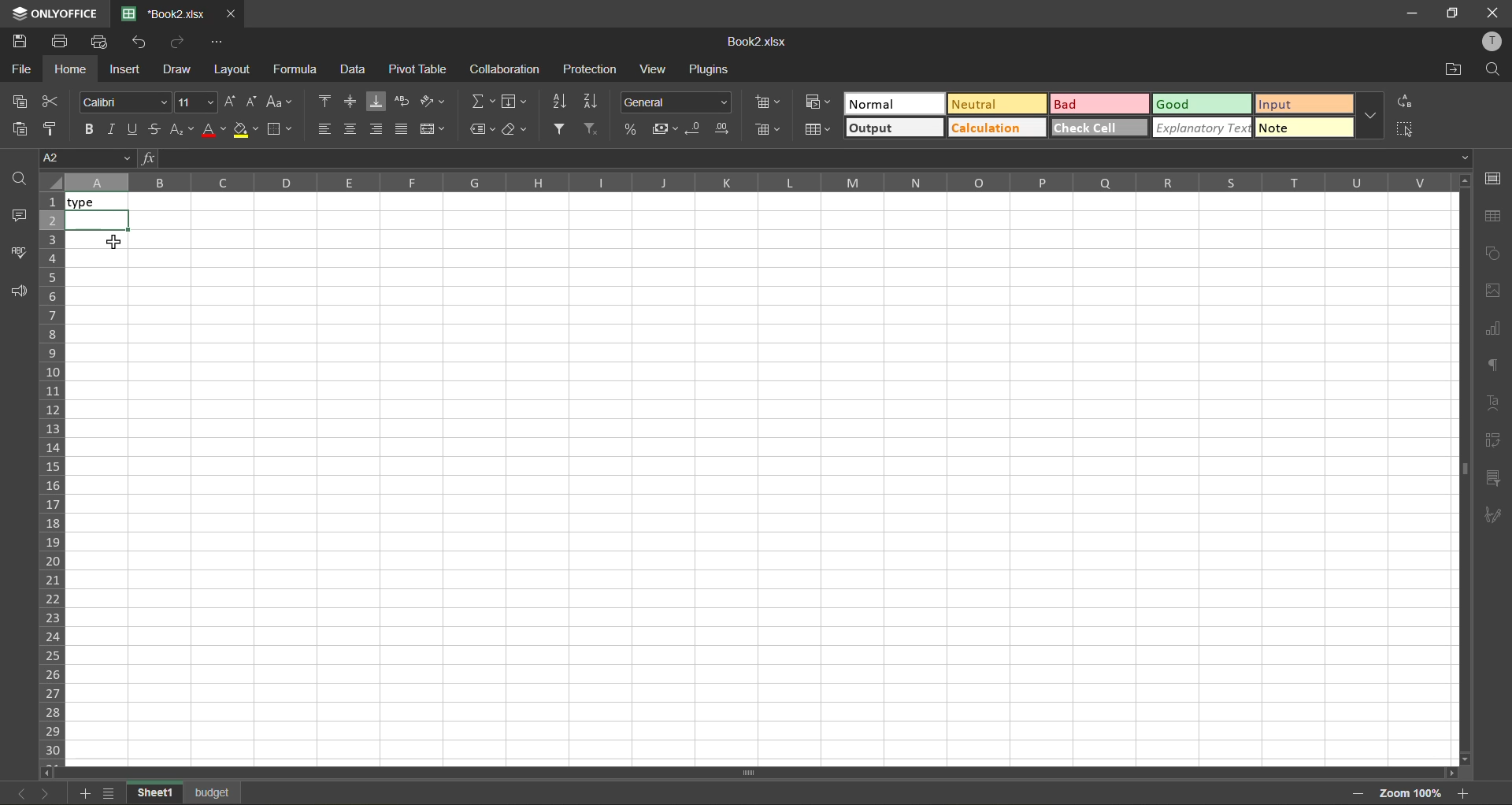 This screenshot has height=805, width=1512. What do you see at coordinates (13, 792) in the screenshot?
I see `previous` at bounding box center [13, 792].